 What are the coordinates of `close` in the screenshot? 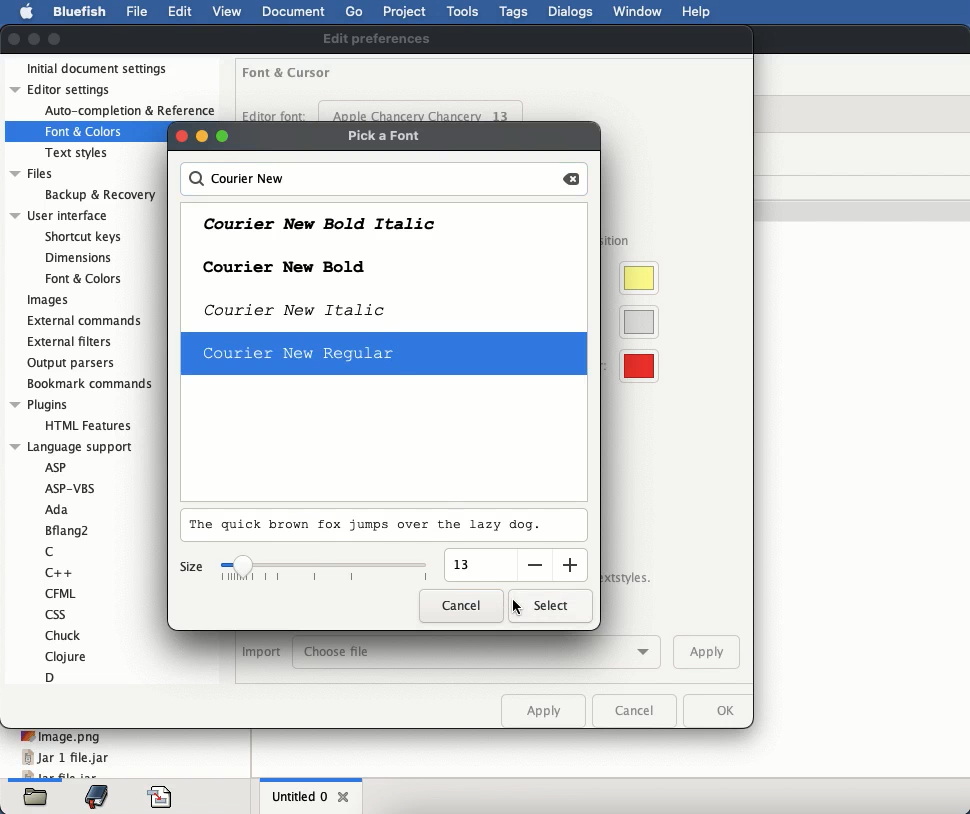 It's located at (15, 40).